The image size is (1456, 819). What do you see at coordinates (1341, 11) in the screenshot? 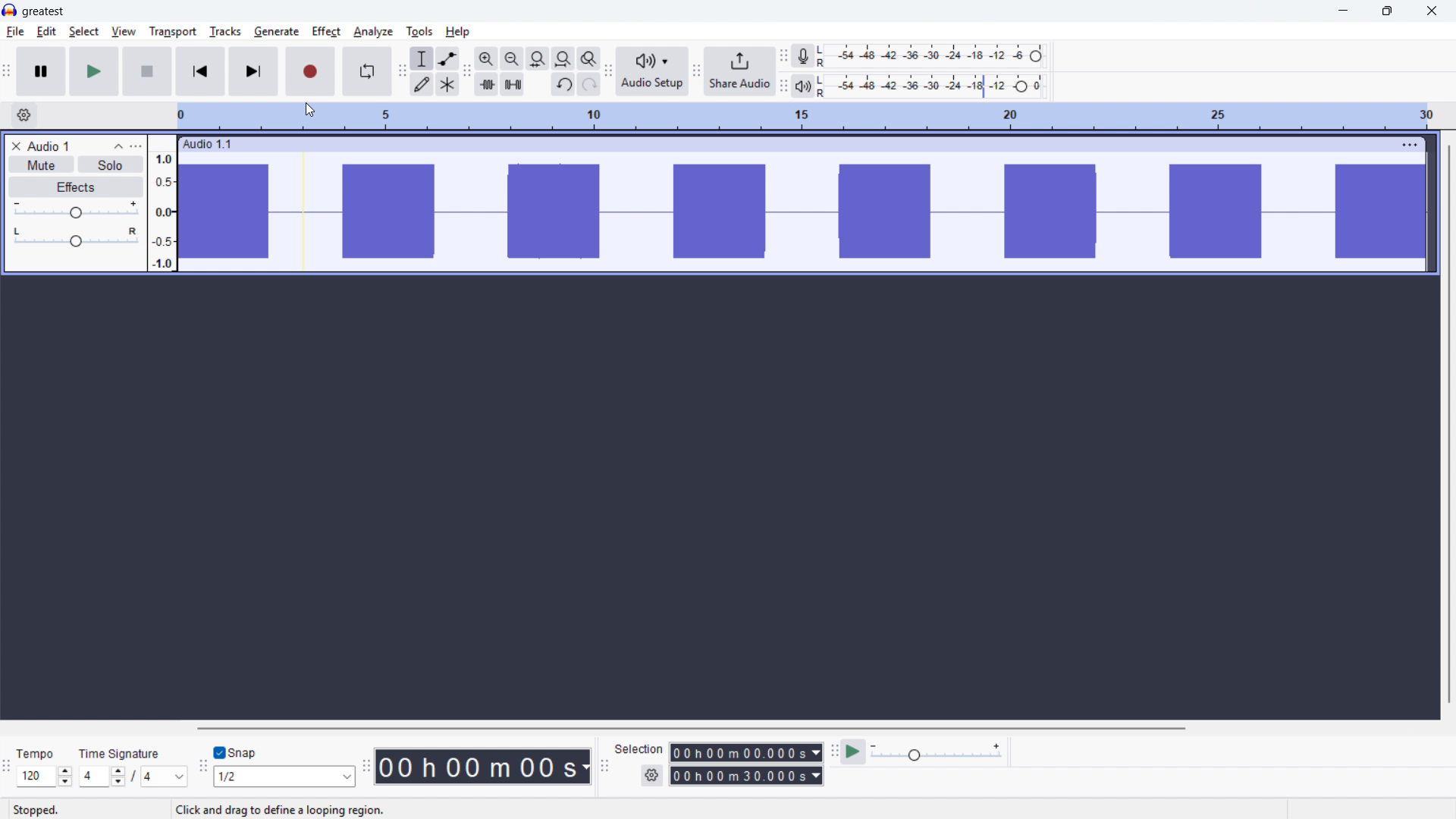
I see `minimise ` at bounding box center [1341, 11].